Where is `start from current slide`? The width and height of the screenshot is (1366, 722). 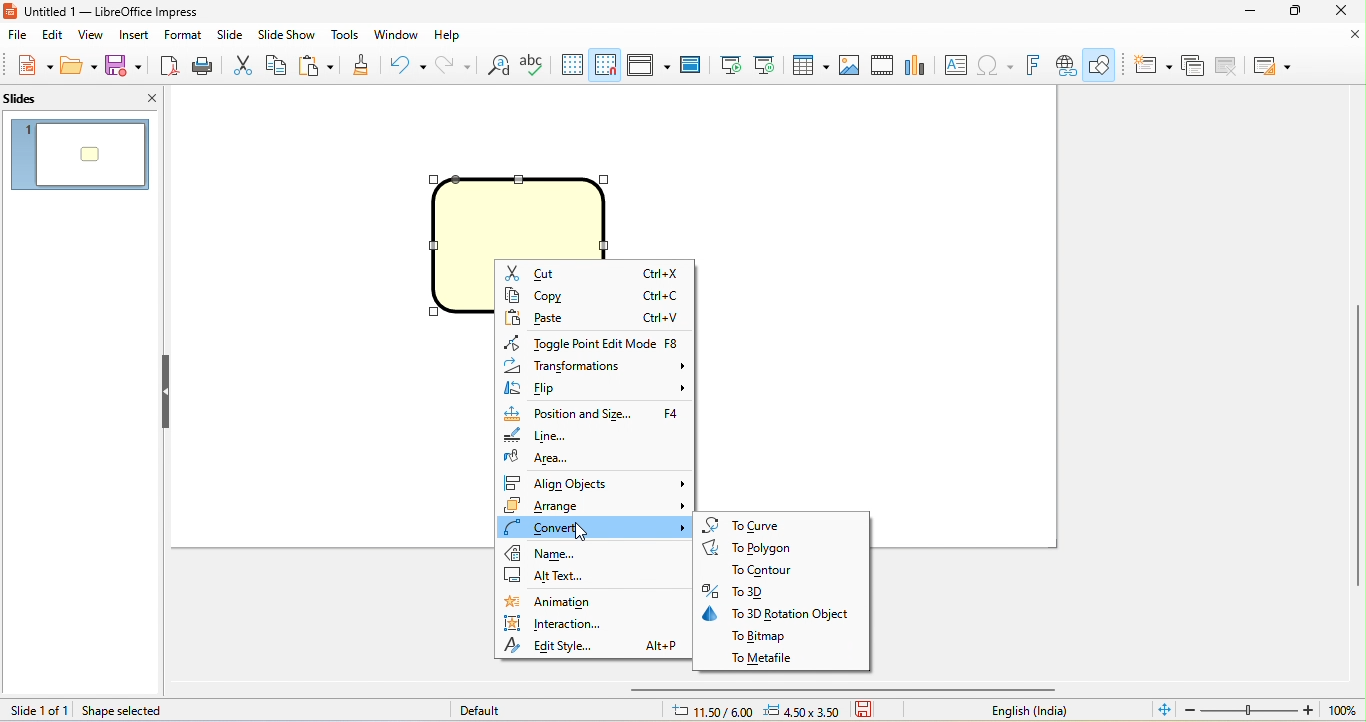
start from current slide is located at coordinates (767, 65).